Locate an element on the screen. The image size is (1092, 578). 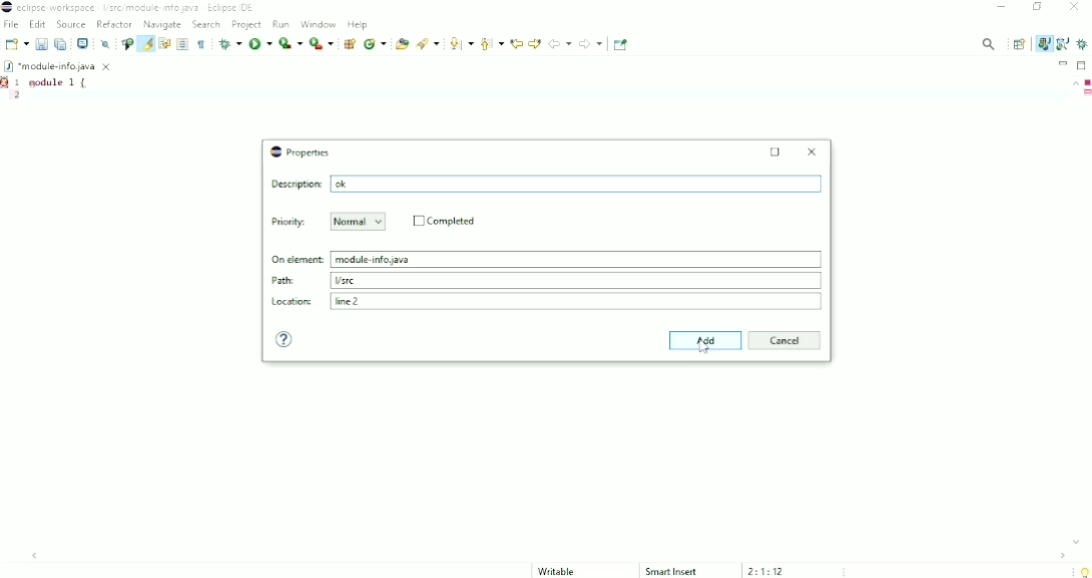
Toggle word wrap is located at coordinates (164, 44).